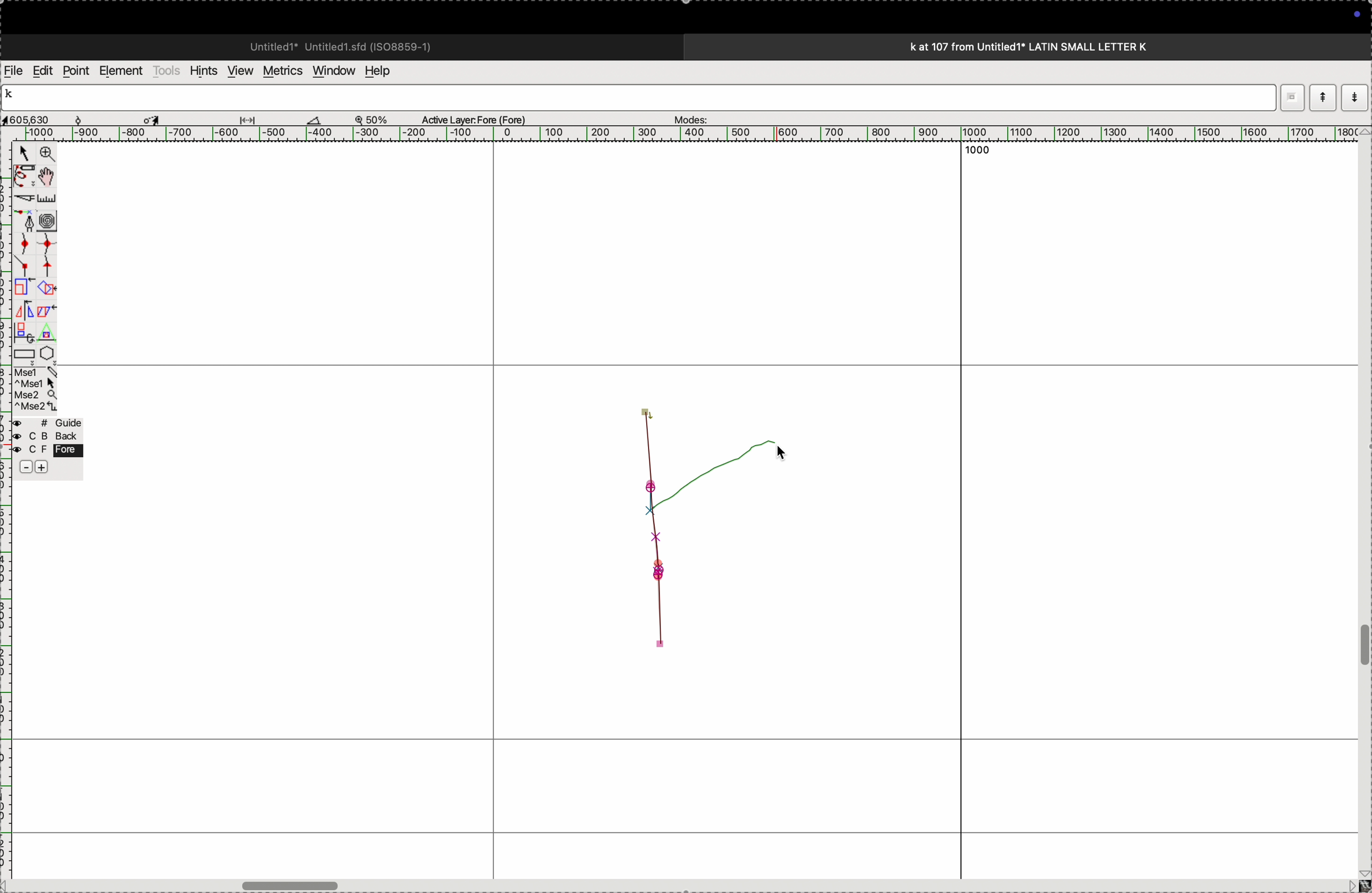  Describe the element at coordinates (36, 390) in the screenshot. I see `mse` at that location.